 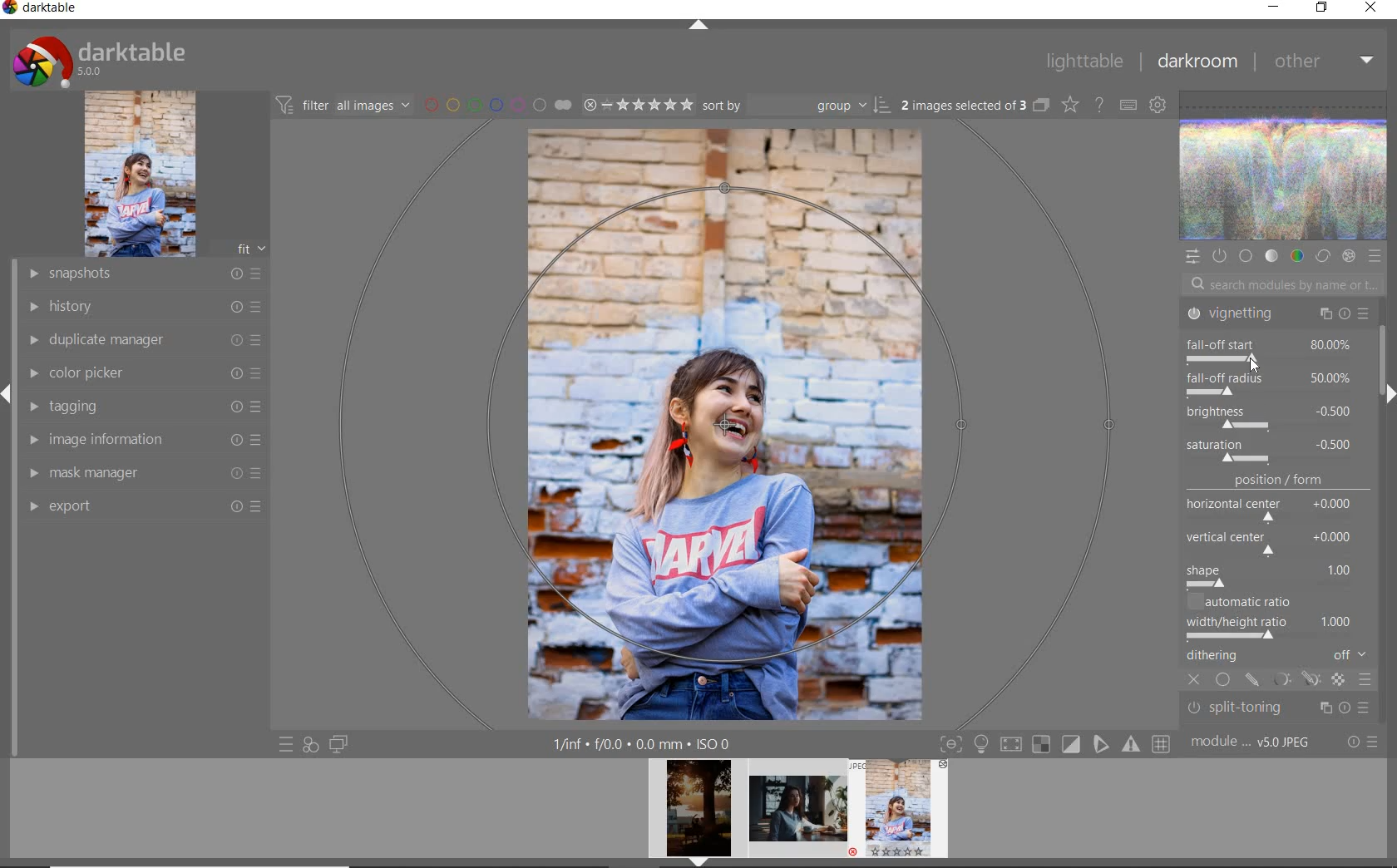 What do you see at coordinates (797, 104) in the screenshot?
I see `SORT` at bounding box center [797, 104].